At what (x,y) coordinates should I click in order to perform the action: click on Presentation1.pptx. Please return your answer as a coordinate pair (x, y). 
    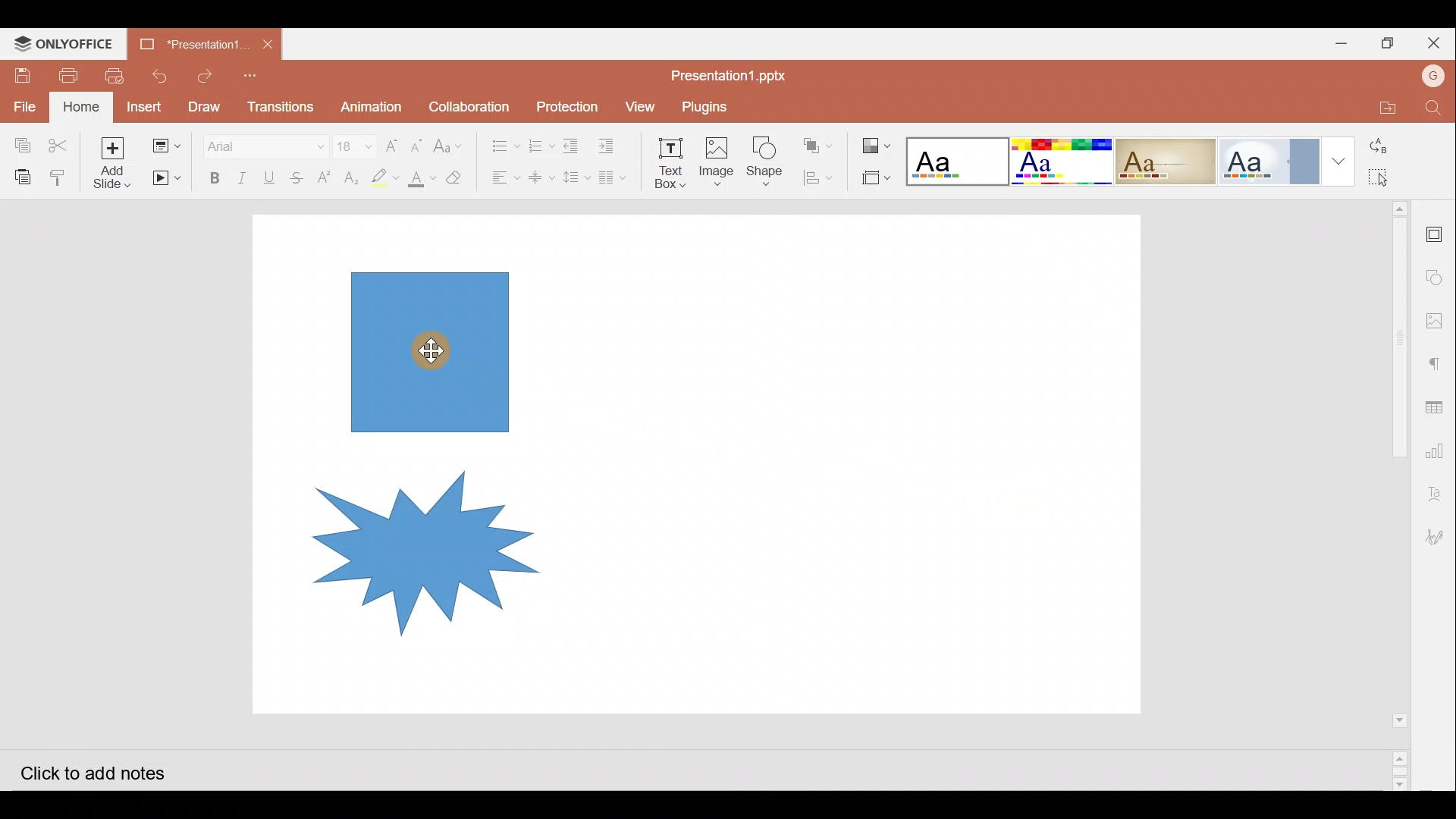
    Looking at the image, I should click on (194, 41).